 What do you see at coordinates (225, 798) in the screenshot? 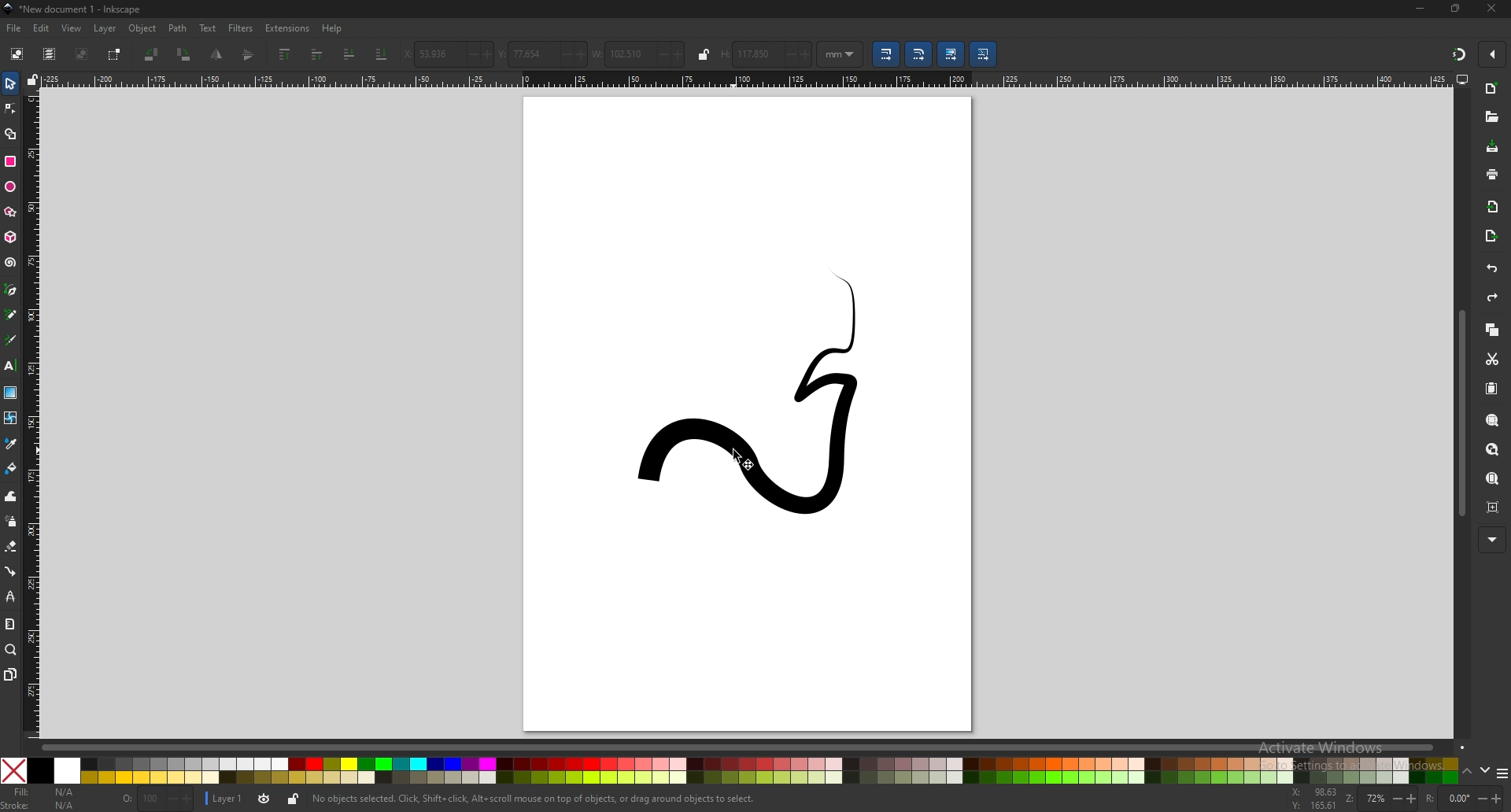
I see `layer` at bounding box center [225, 798].